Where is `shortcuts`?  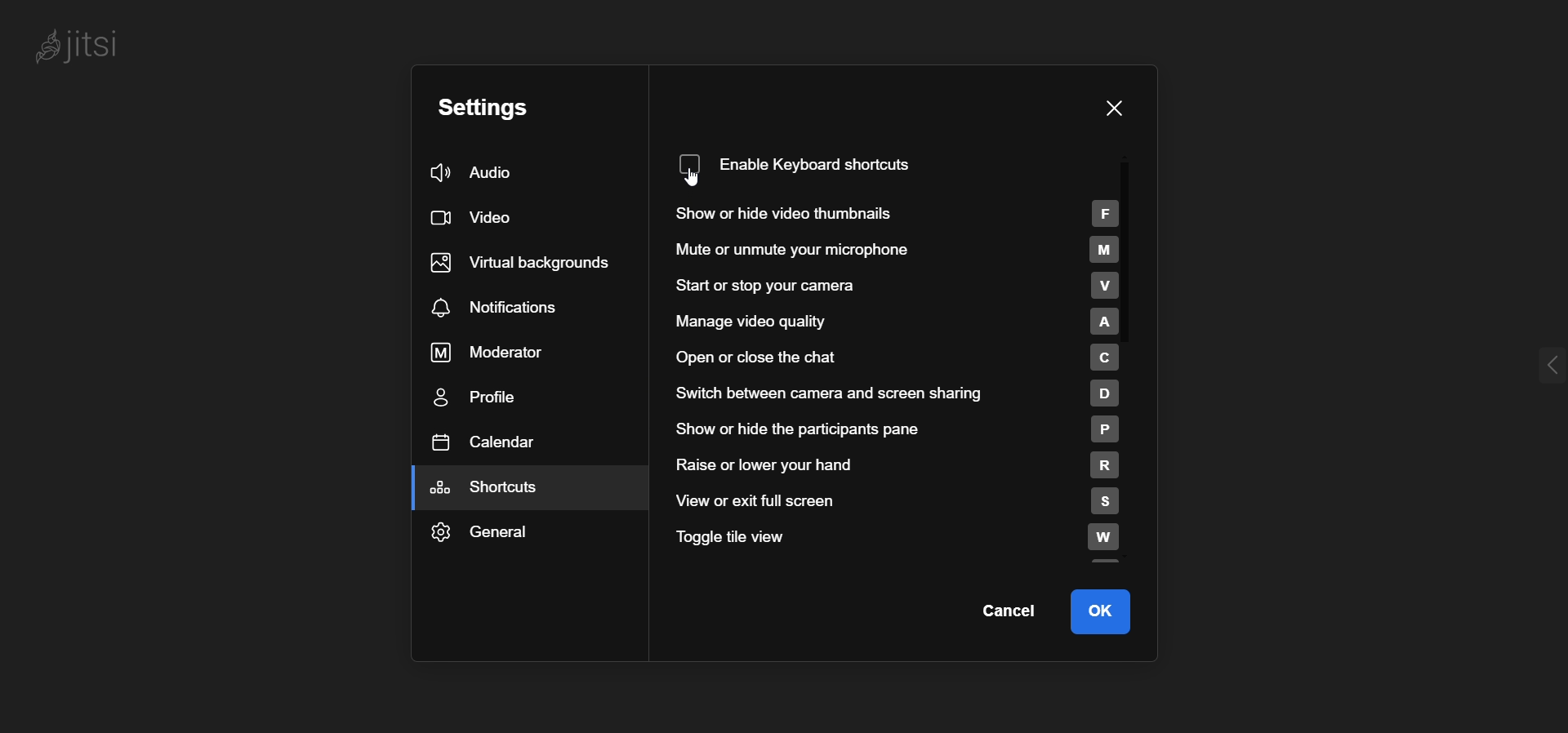 shortcuts is located at coordinates (501, 487).